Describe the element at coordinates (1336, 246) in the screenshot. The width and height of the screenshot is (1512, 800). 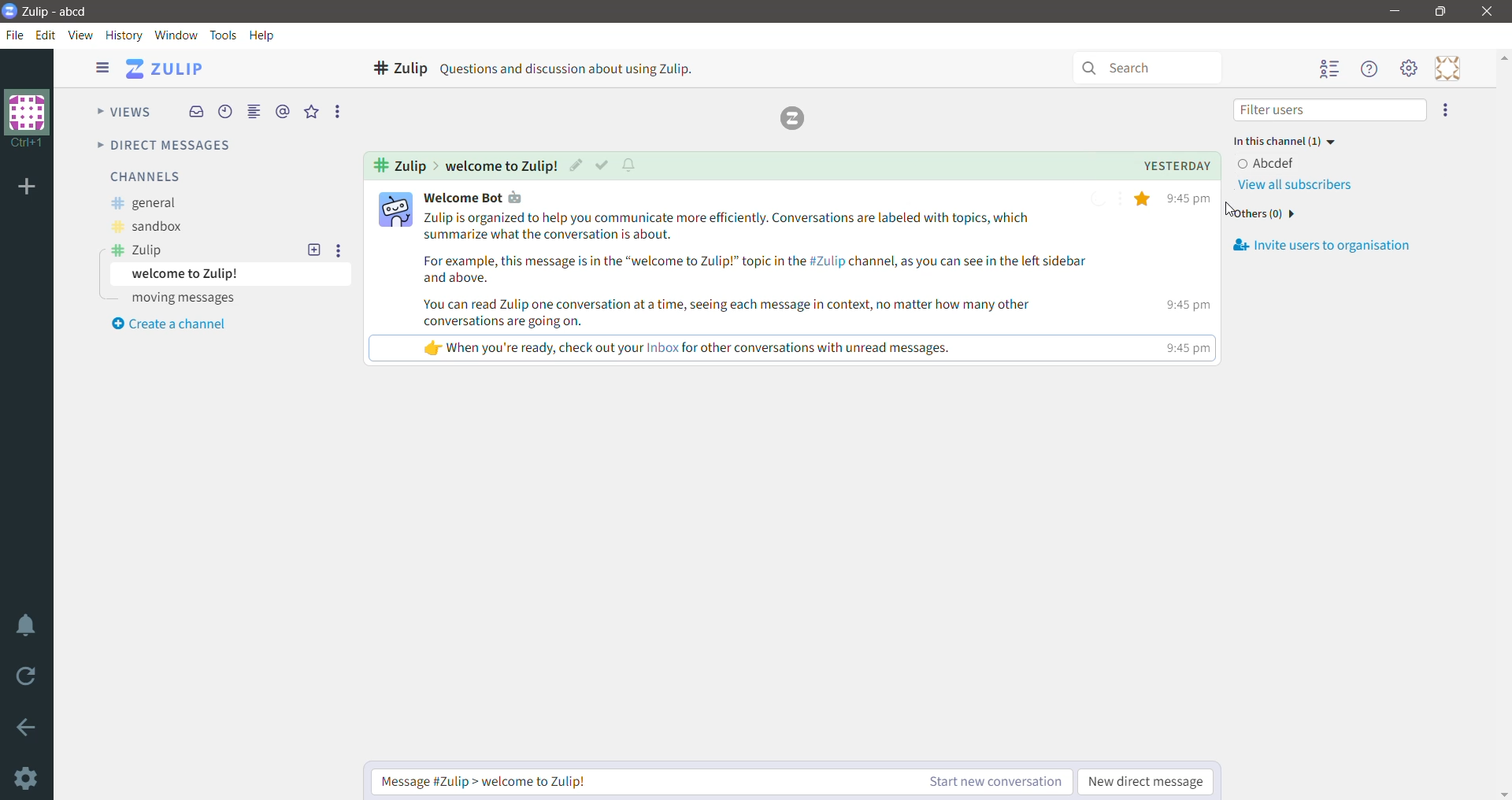
I see `Invite users to organization` at that location.